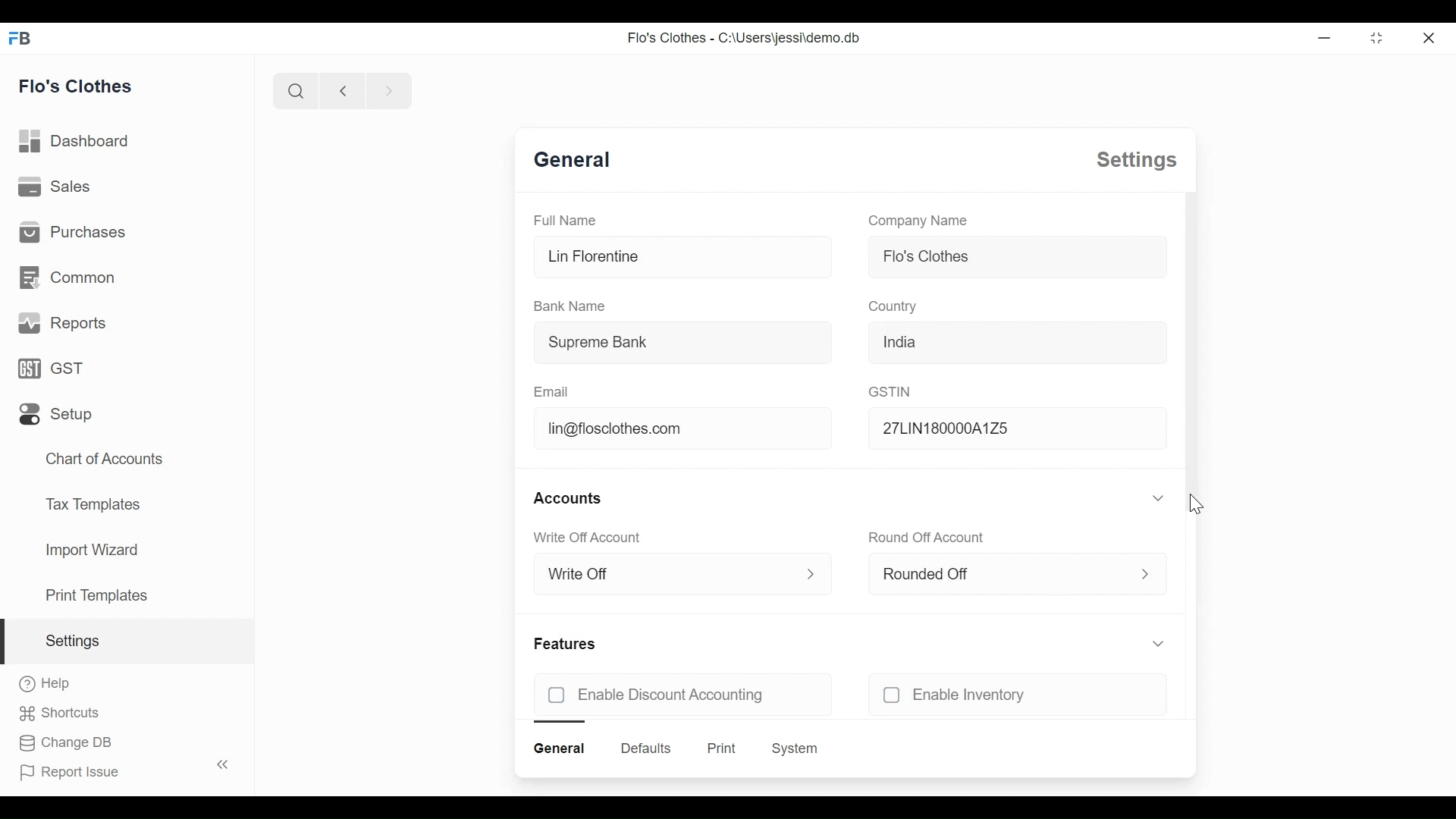 This screenshot has width=1456, height=819. I want to click on Email, so click(552, 391).